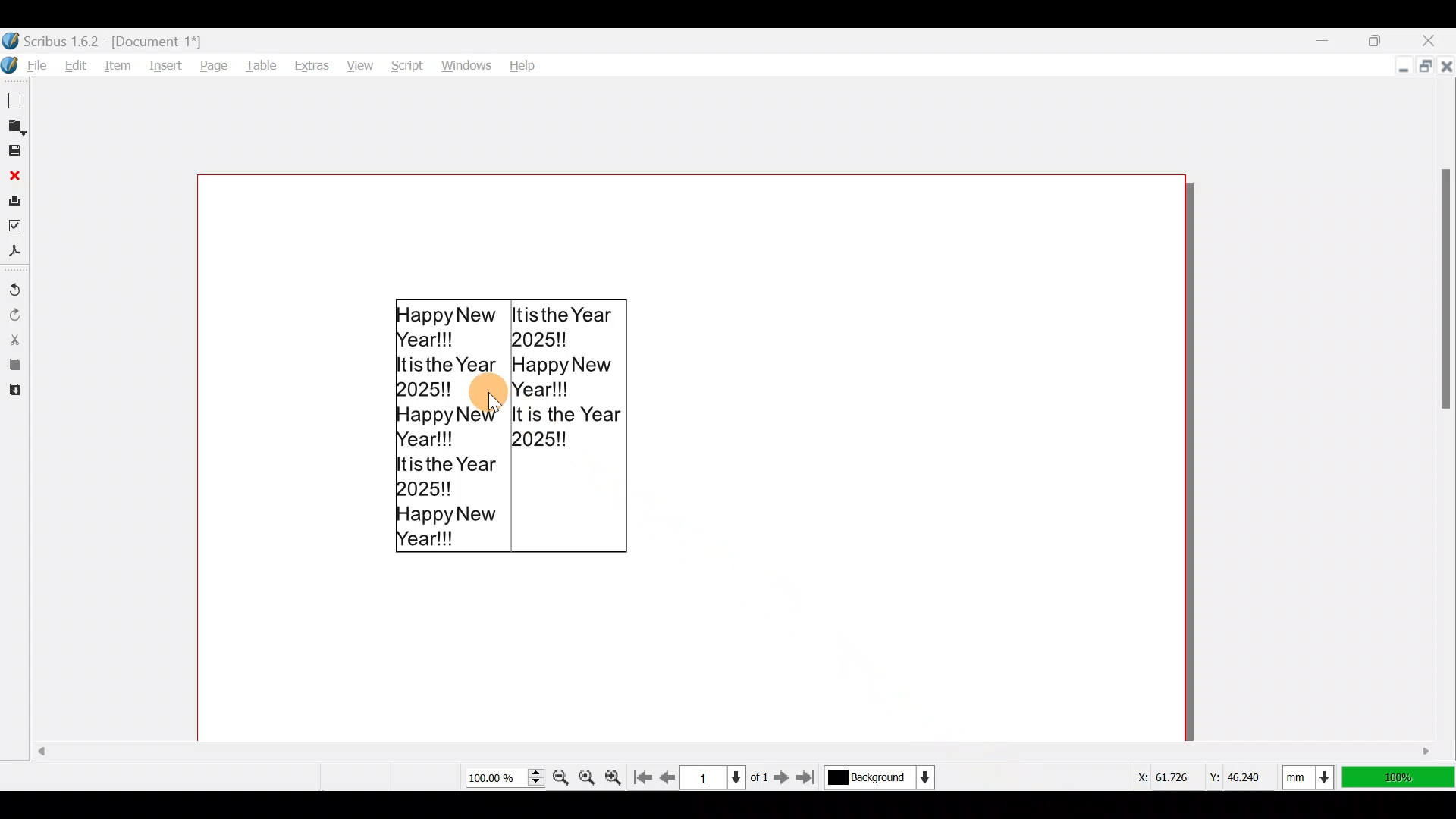 The height and width of the screenshot is (819, 1456). What do you see at coordinates (120, 64) in the screenshot?
I see `Item` at bounding box center [120, 64].